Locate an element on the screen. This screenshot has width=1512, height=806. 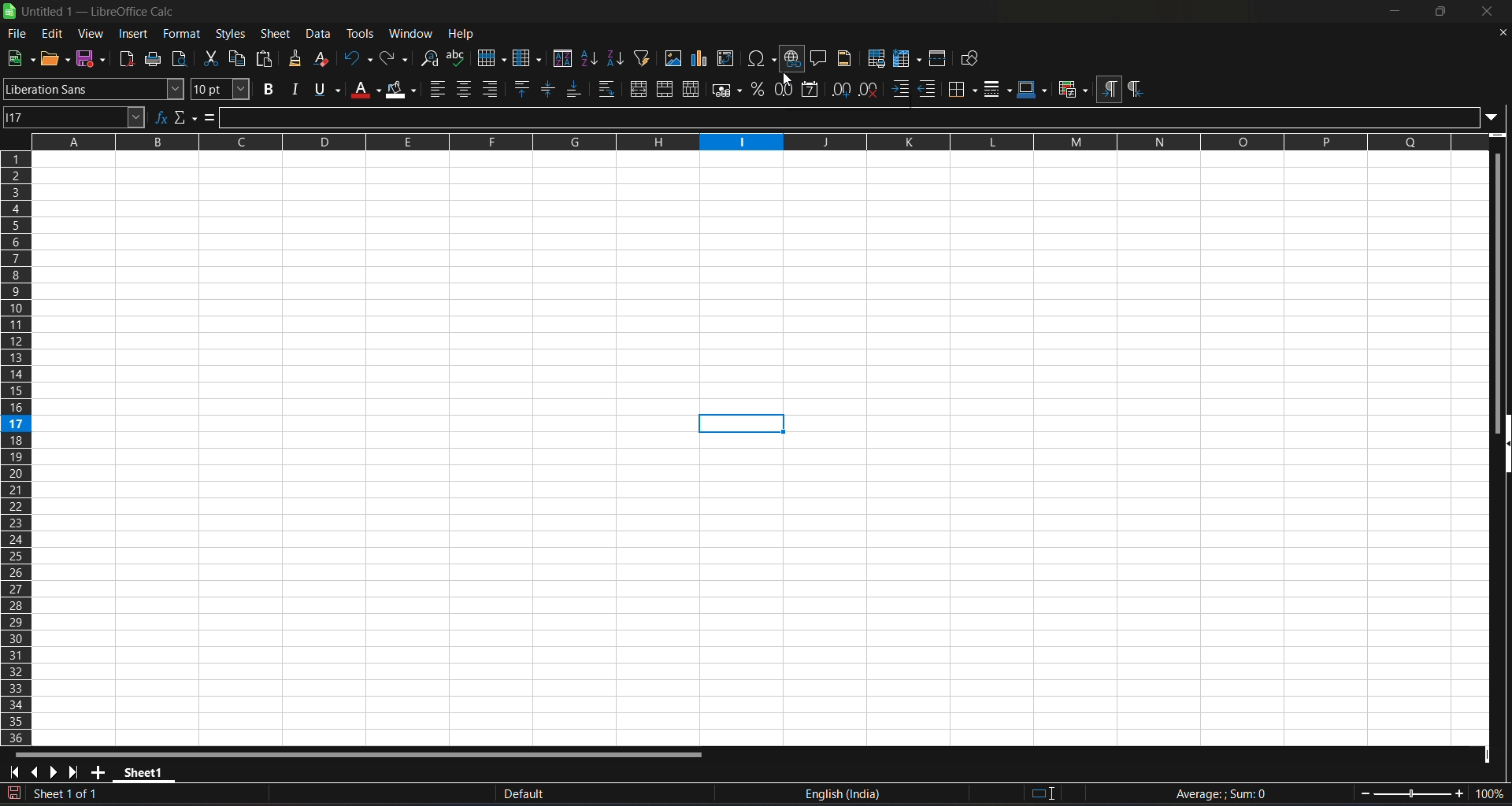
align right is located at coordinates (491, 89).